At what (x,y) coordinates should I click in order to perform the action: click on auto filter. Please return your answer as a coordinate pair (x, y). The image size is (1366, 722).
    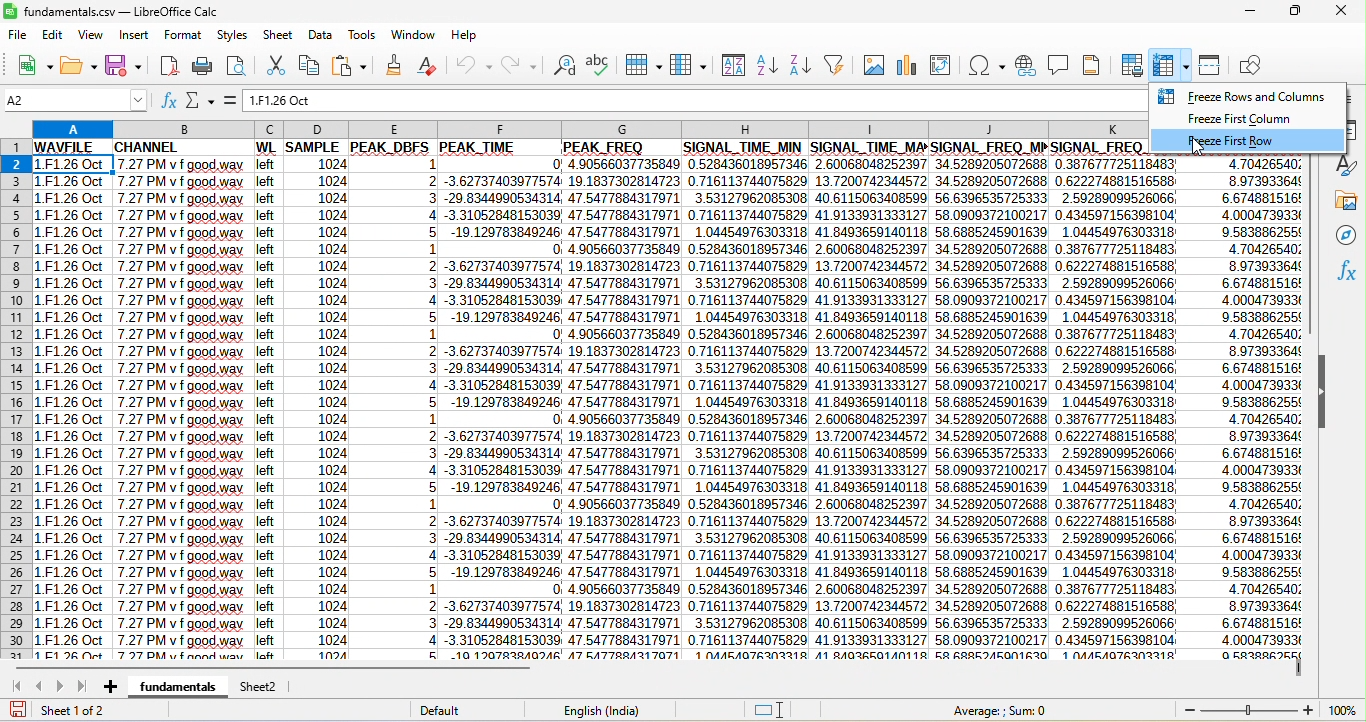
    Looking at the image, I should click on (833, 65).